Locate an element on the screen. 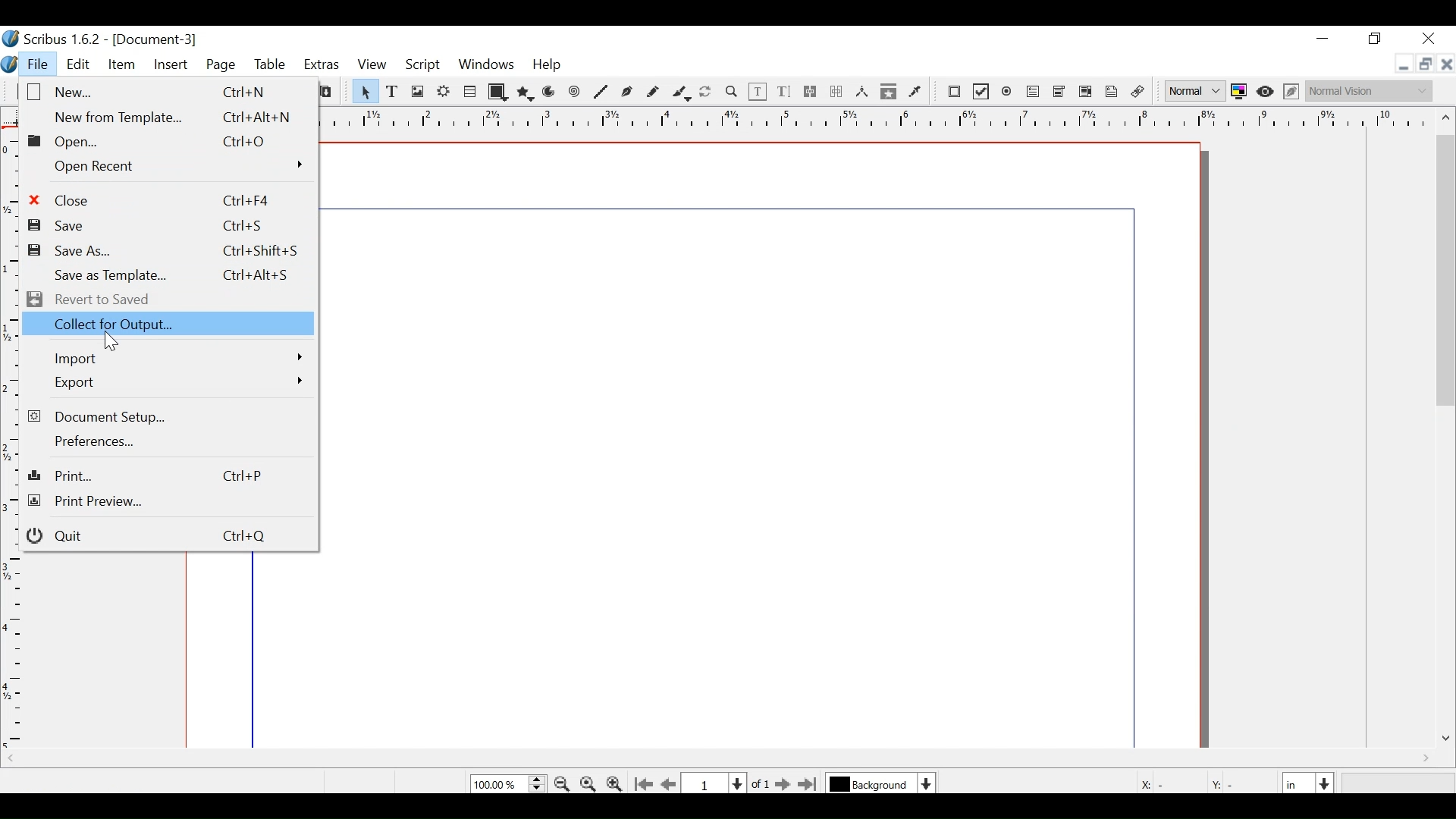 This screenshot has width=1456, height=819. Go to the last page is located at coordinates (809, 784).